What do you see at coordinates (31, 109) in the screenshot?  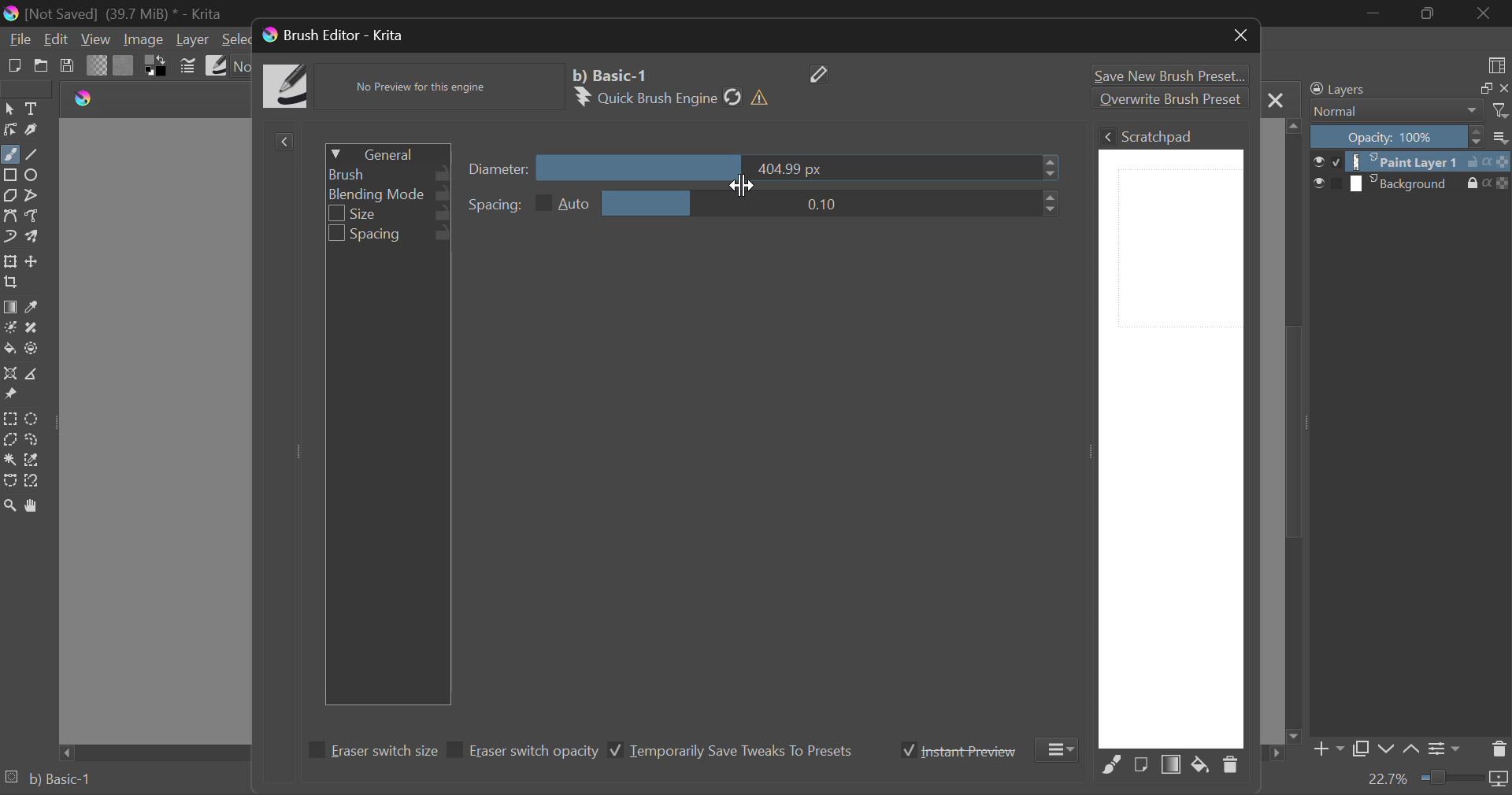 I see `Text` at bounding box center [31, 109].